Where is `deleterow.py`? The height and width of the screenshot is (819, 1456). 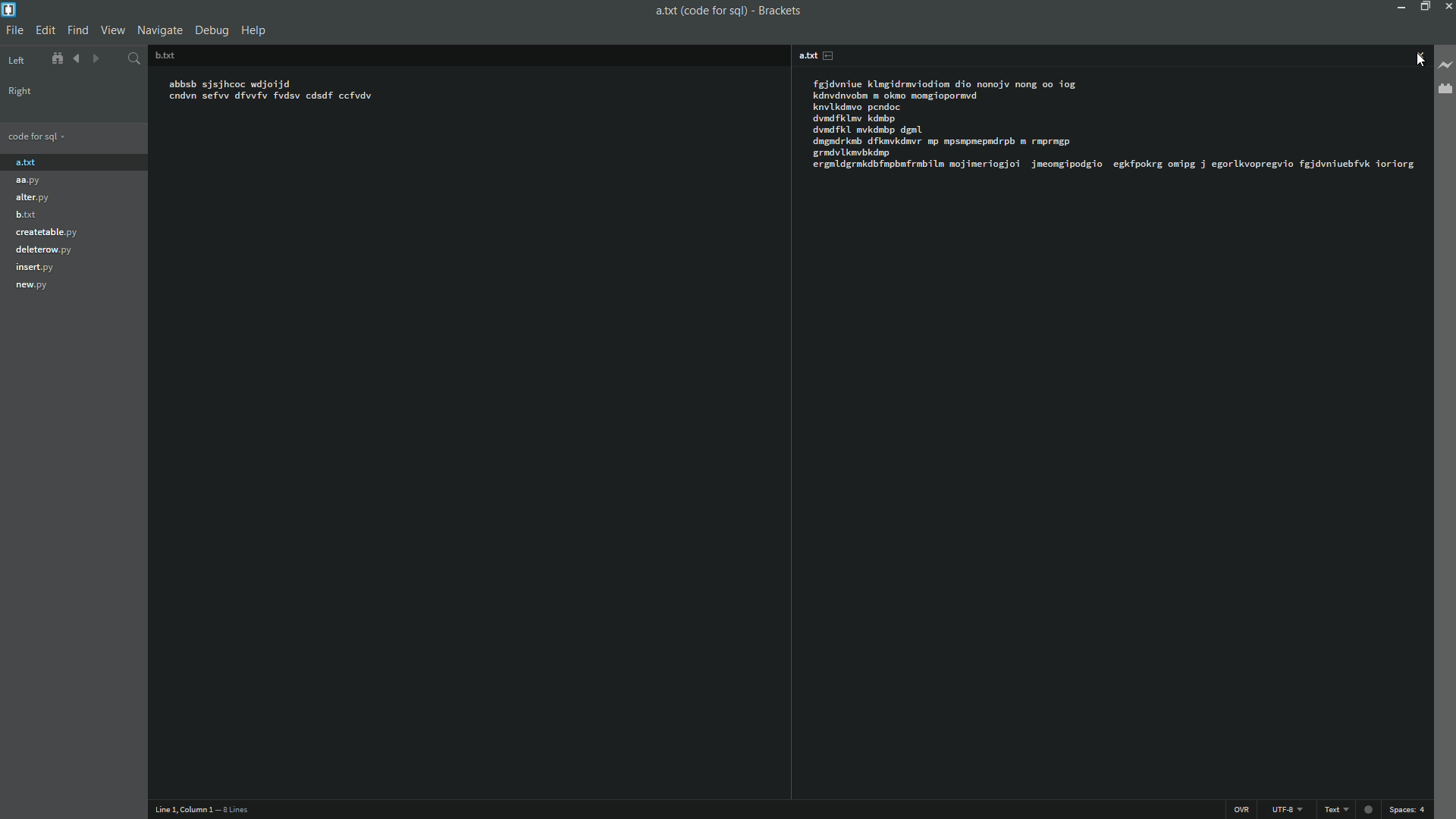 deleterow.py is located at coordinates (47, 249).